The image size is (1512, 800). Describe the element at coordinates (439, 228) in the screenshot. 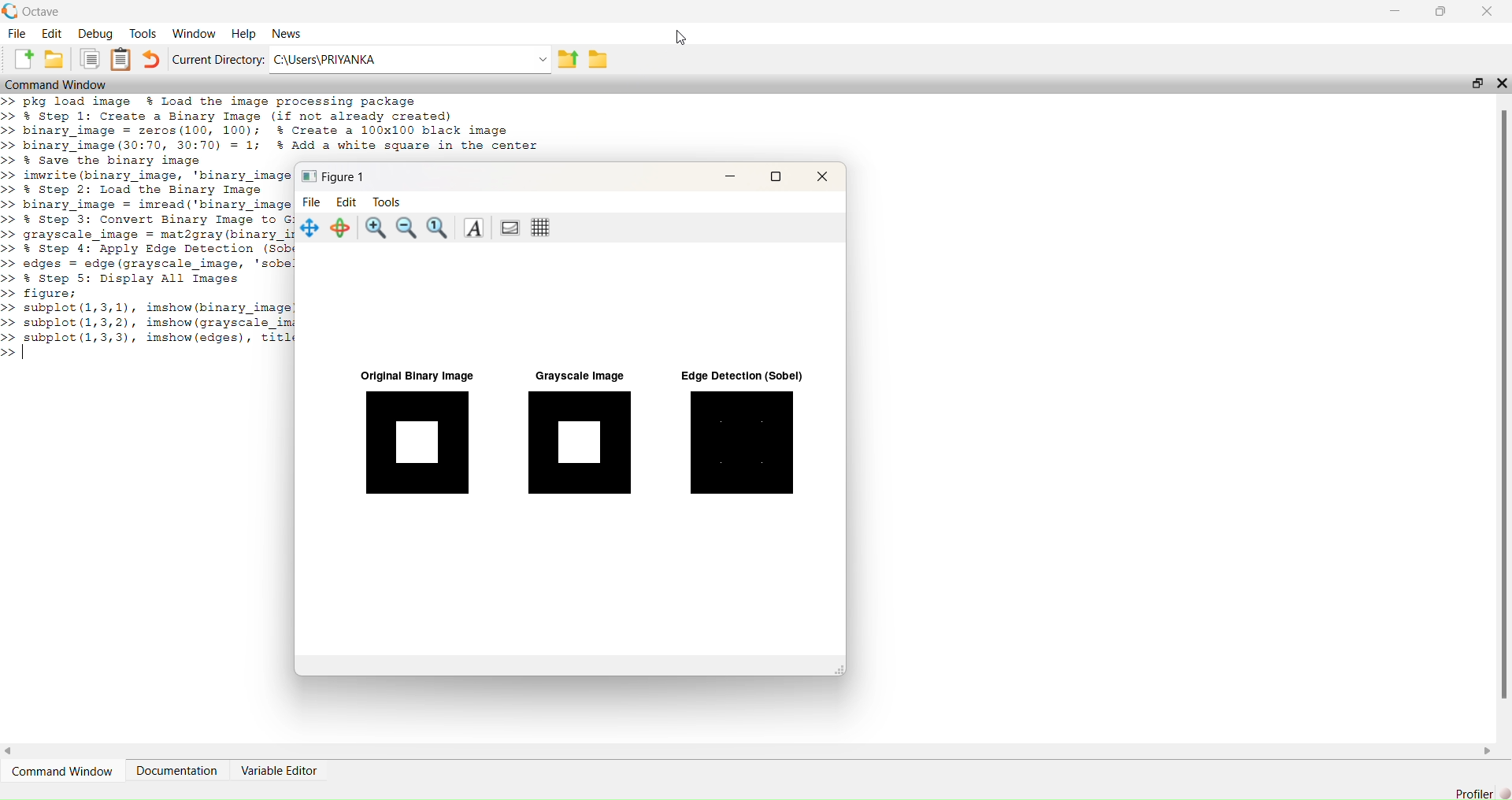

I see `Automatic limits for current axes` at that location.